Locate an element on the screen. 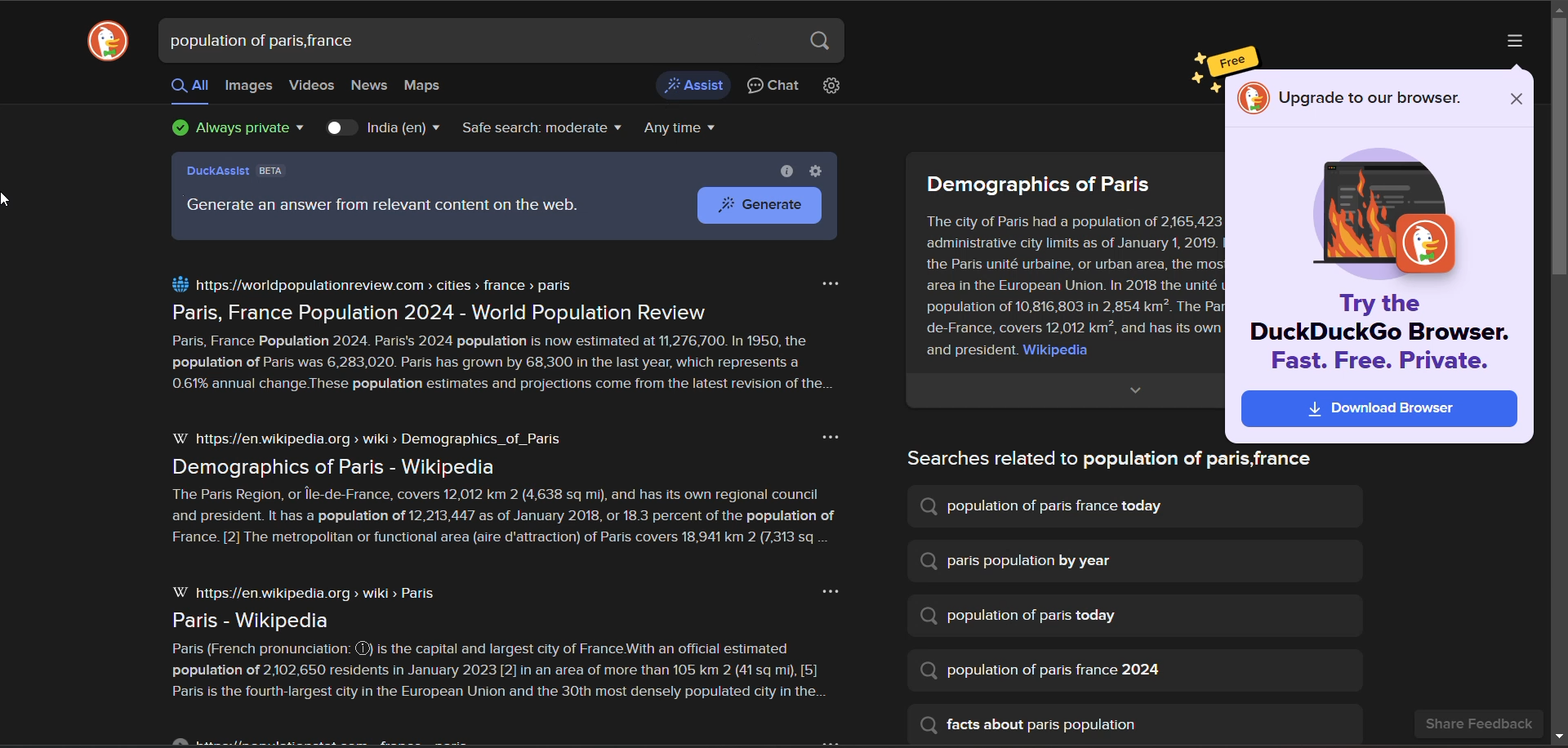 Image resolution: width=1568 pixels, height=748 pixels. country toggle key is located at coordinates (344, 128).